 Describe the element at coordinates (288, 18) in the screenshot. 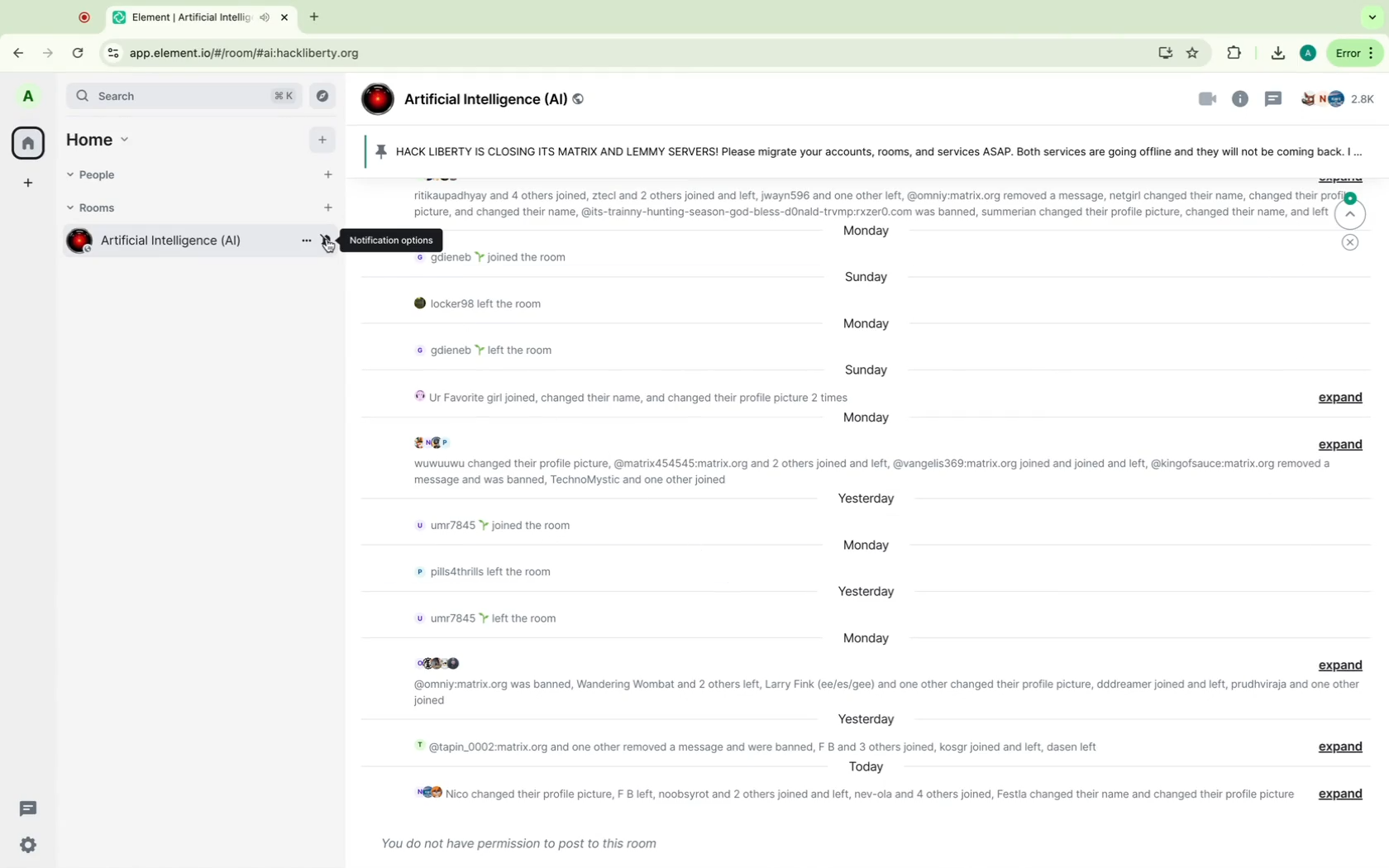

I see `close tab` at that location.